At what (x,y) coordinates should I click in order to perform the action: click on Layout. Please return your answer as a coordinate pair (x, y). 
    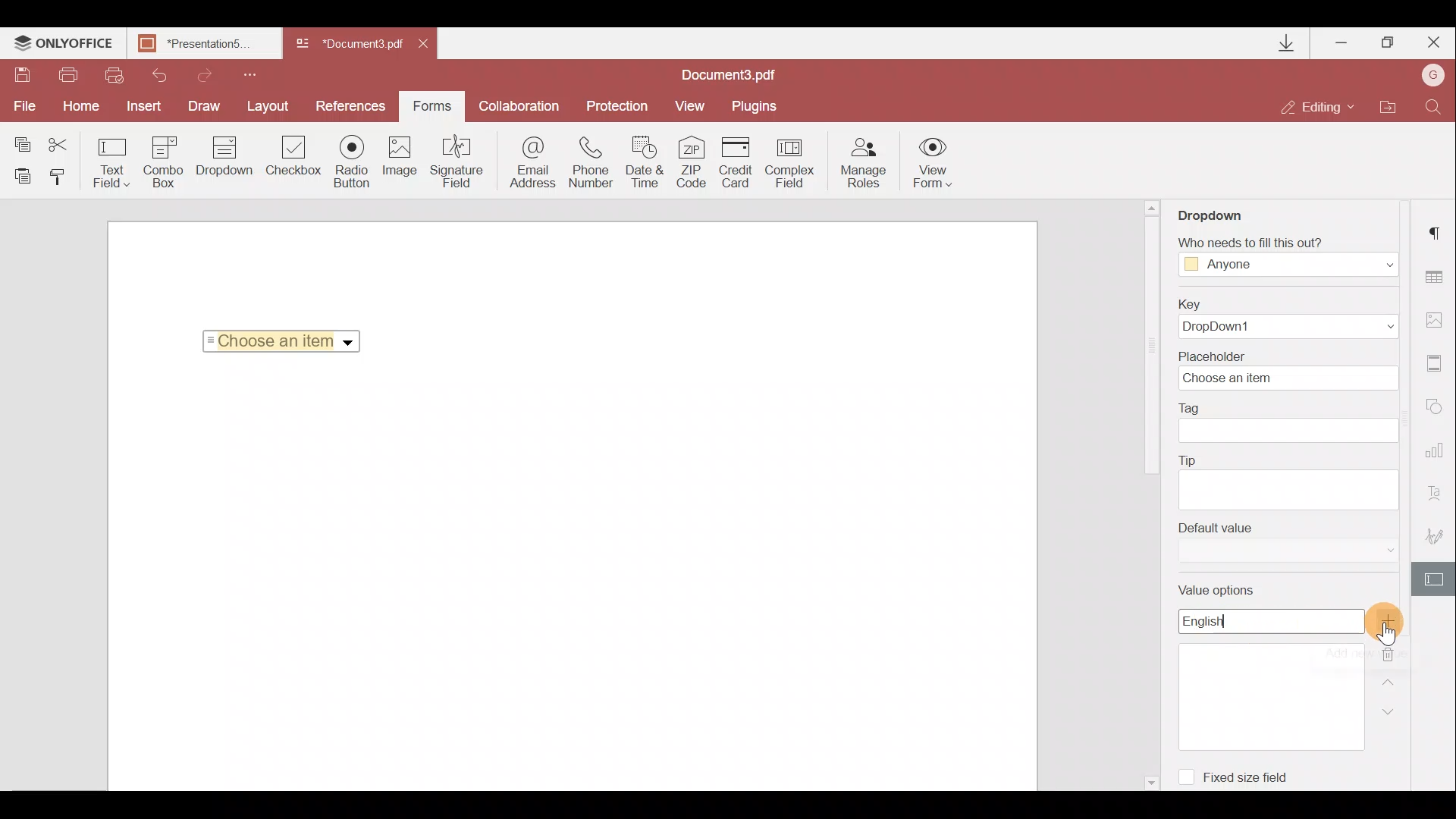
    Looking at the image, I should click on (269, 104).